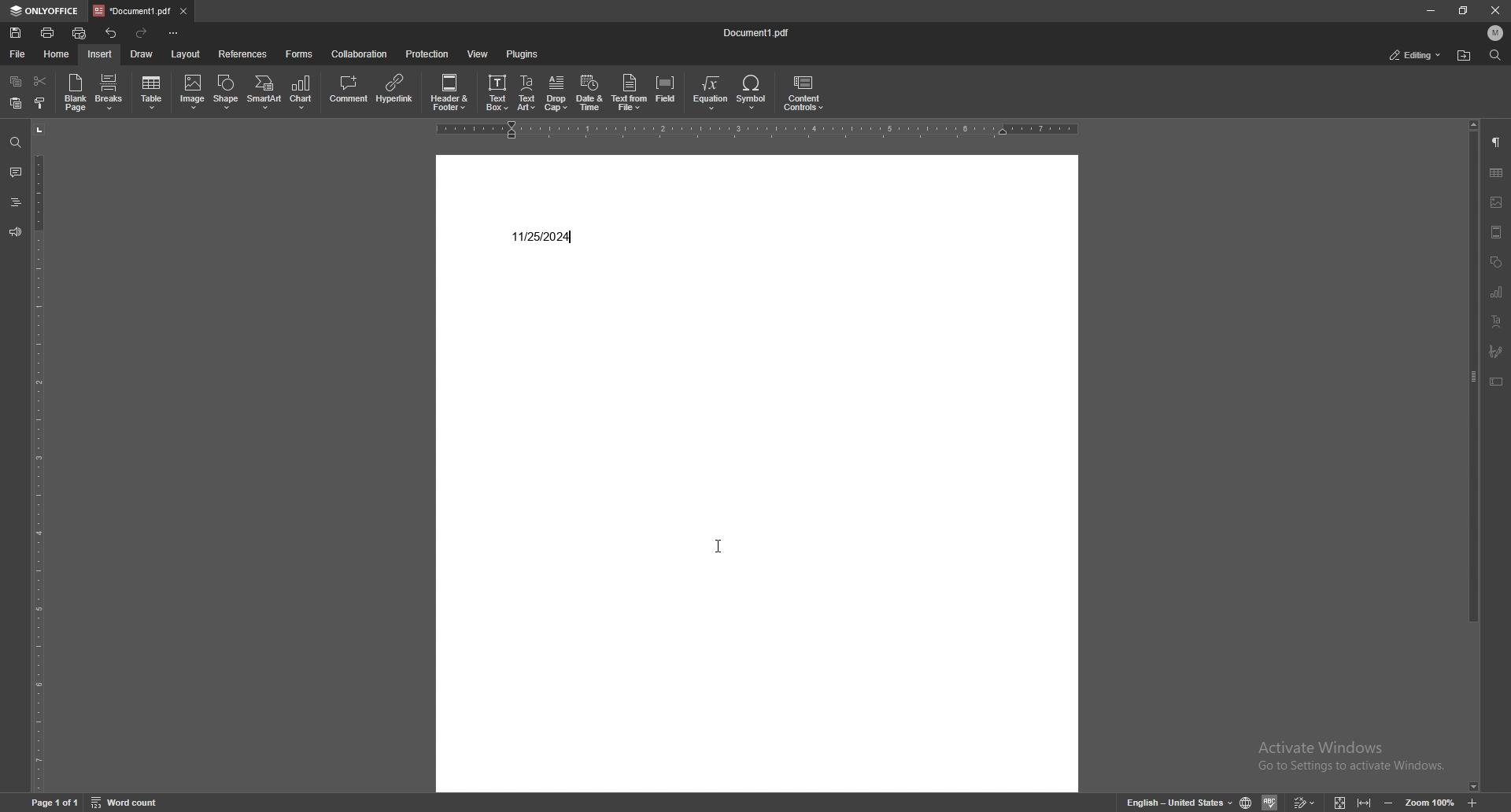  I want to click on find, so click(1495, 56).